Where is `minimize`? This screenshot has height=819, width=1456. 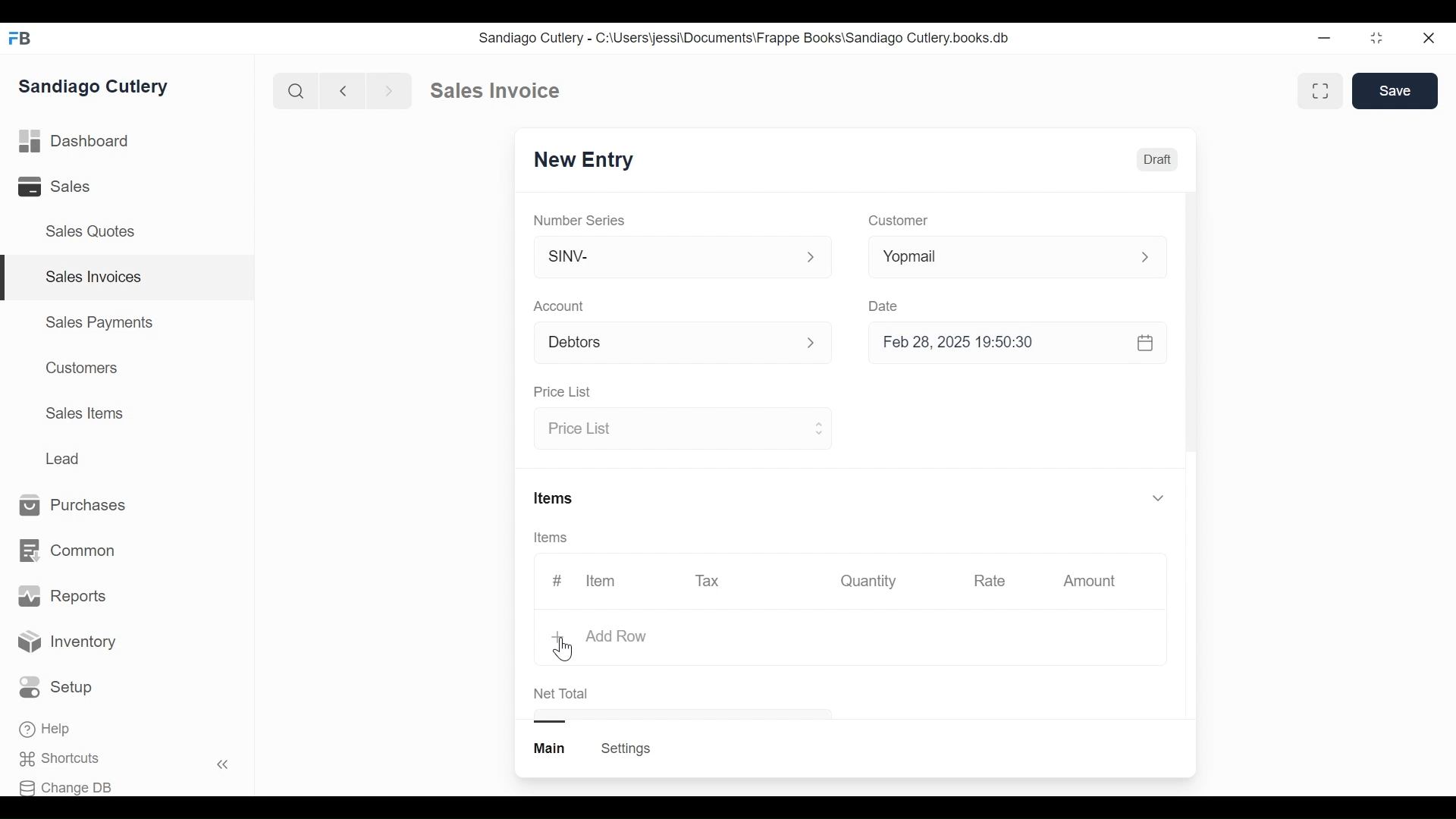
minimize is located at coordinates (1324, 37).